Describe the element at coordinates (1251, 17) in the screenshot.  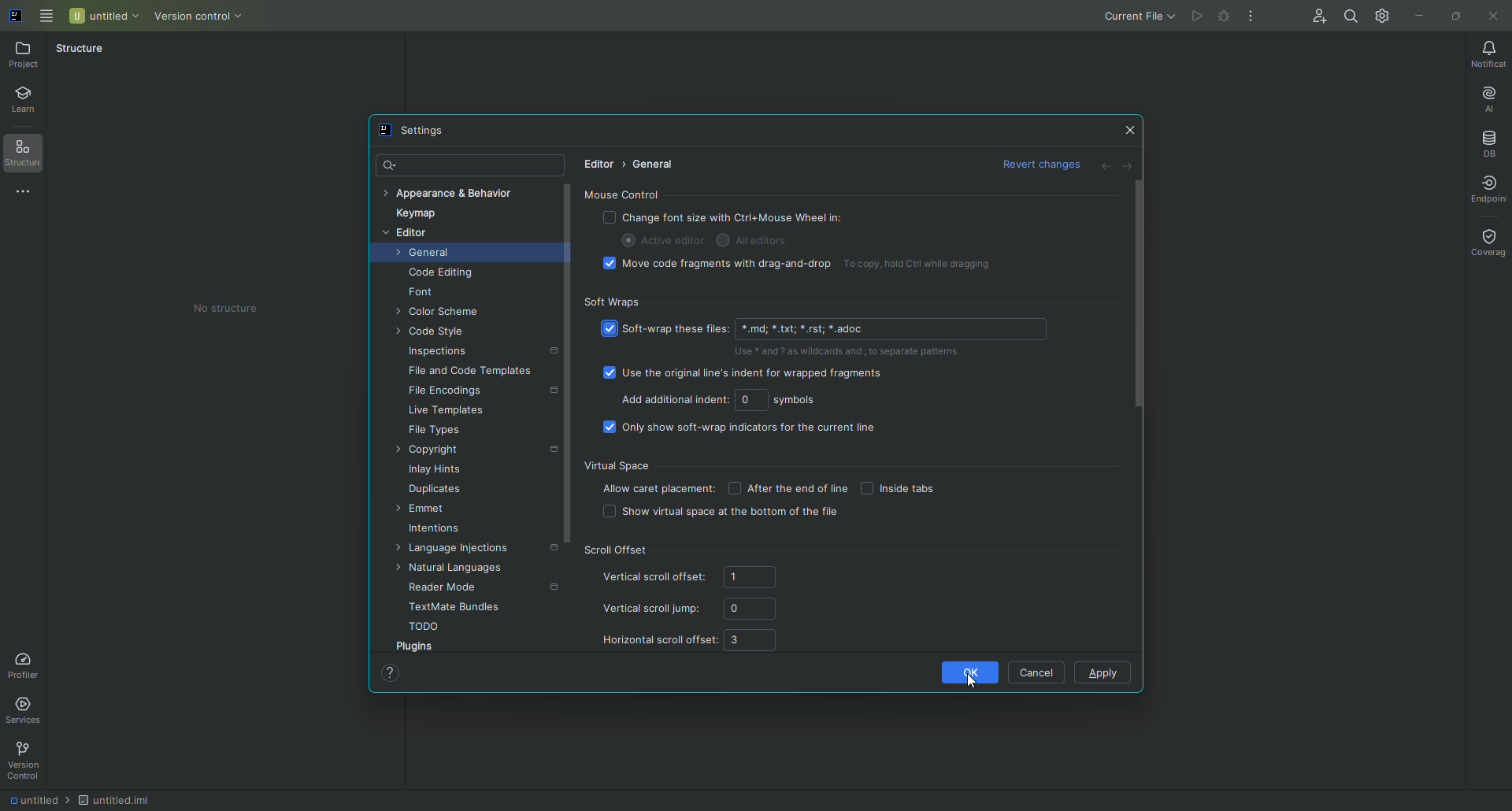
I see `More Actions` at that location.